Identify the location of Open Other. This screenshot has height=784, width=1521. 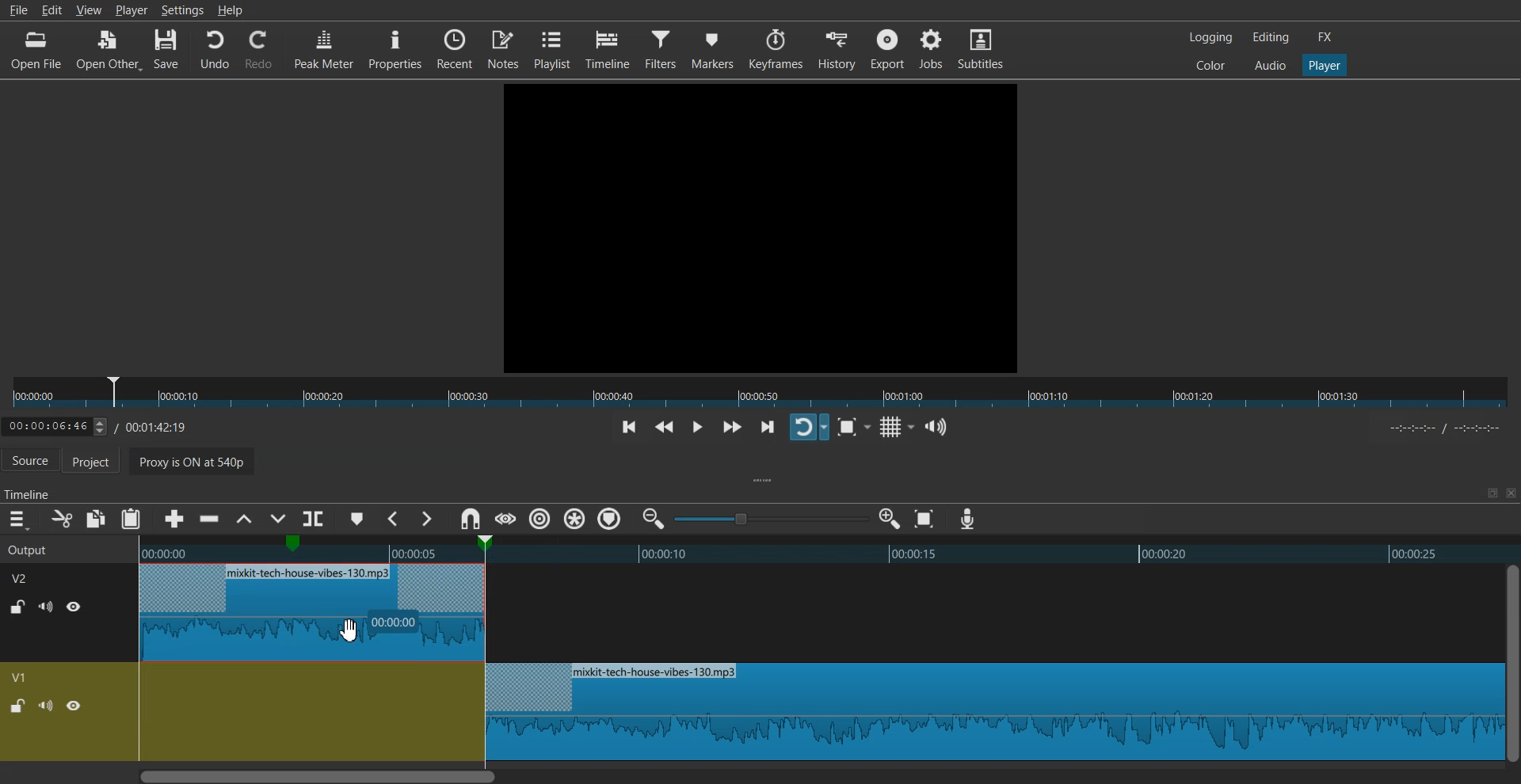
(109, 51).